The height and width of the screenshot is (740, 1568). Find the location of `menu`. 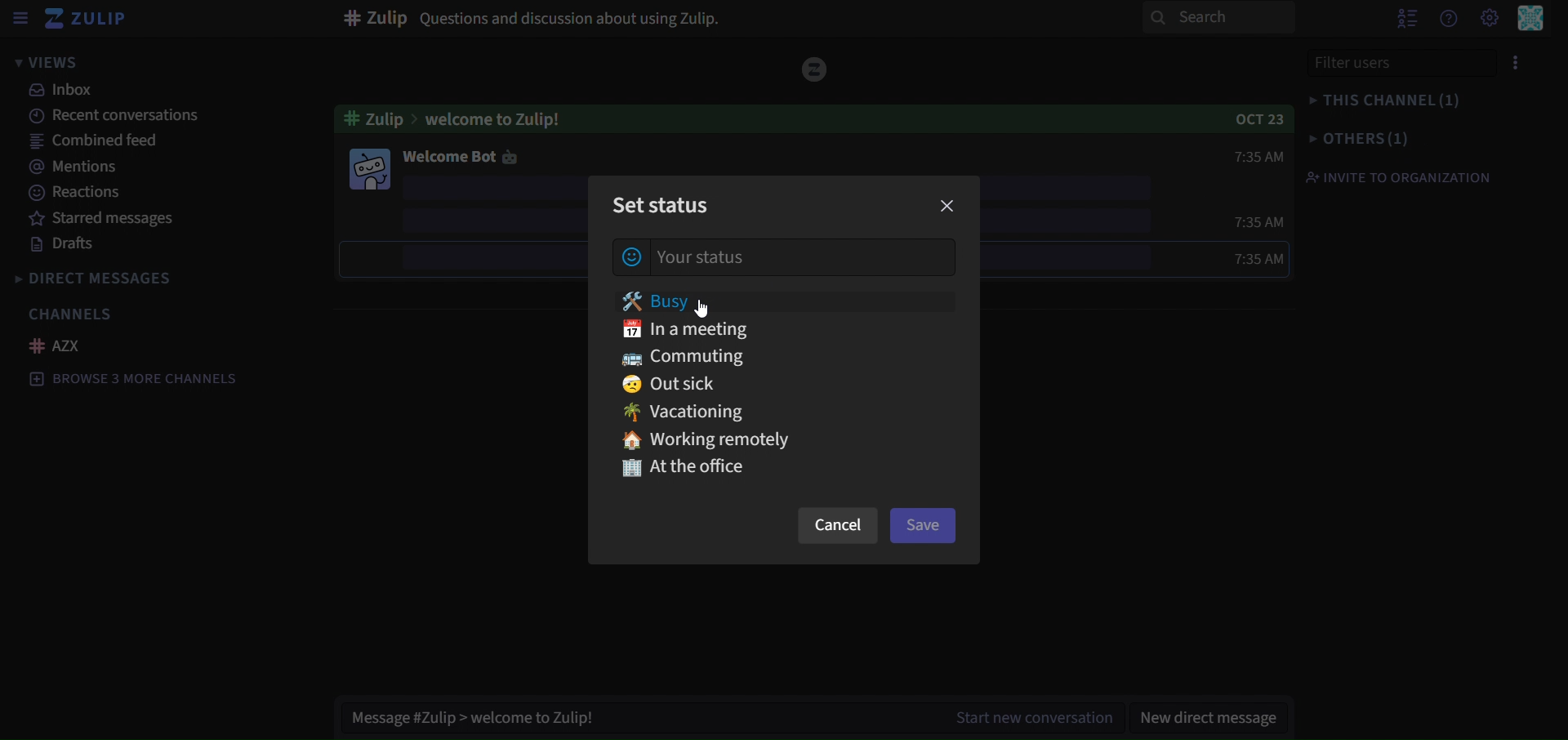

menu is located at coordinates (1518, 60).